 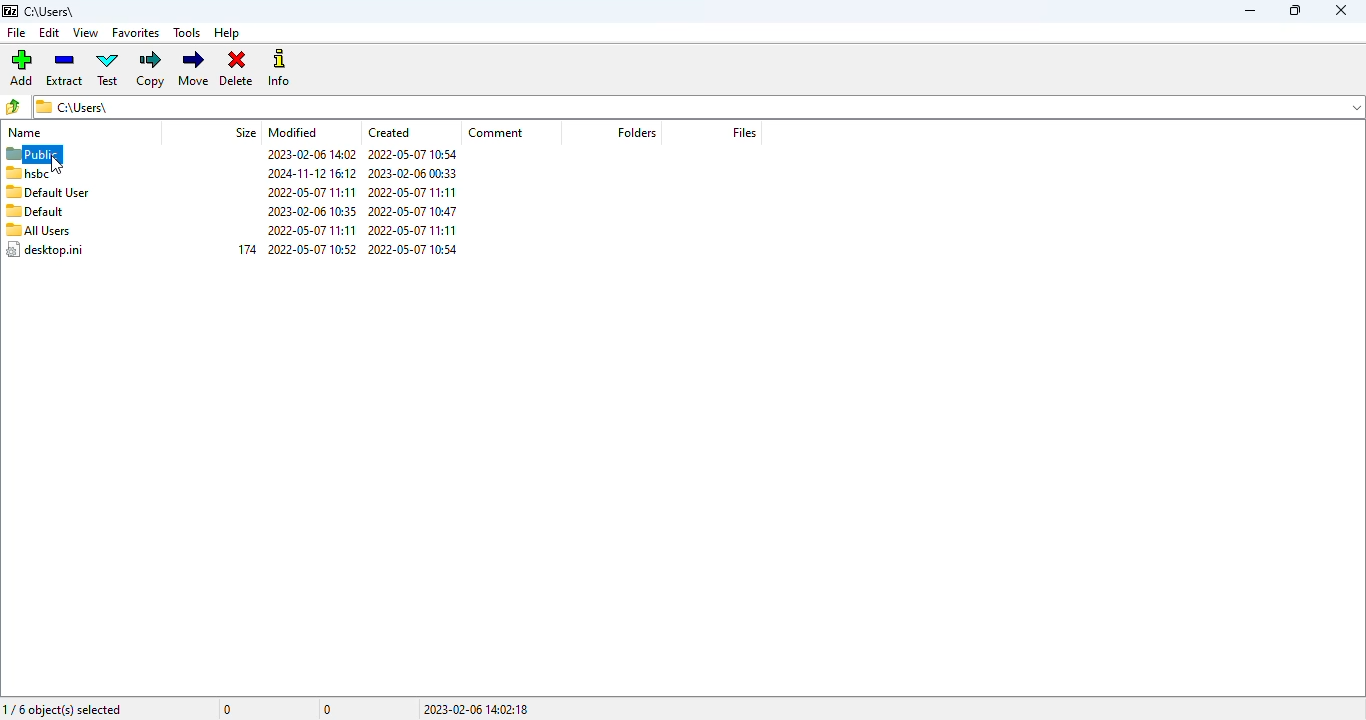 I want to click on all users, so click(x=38, y=229).